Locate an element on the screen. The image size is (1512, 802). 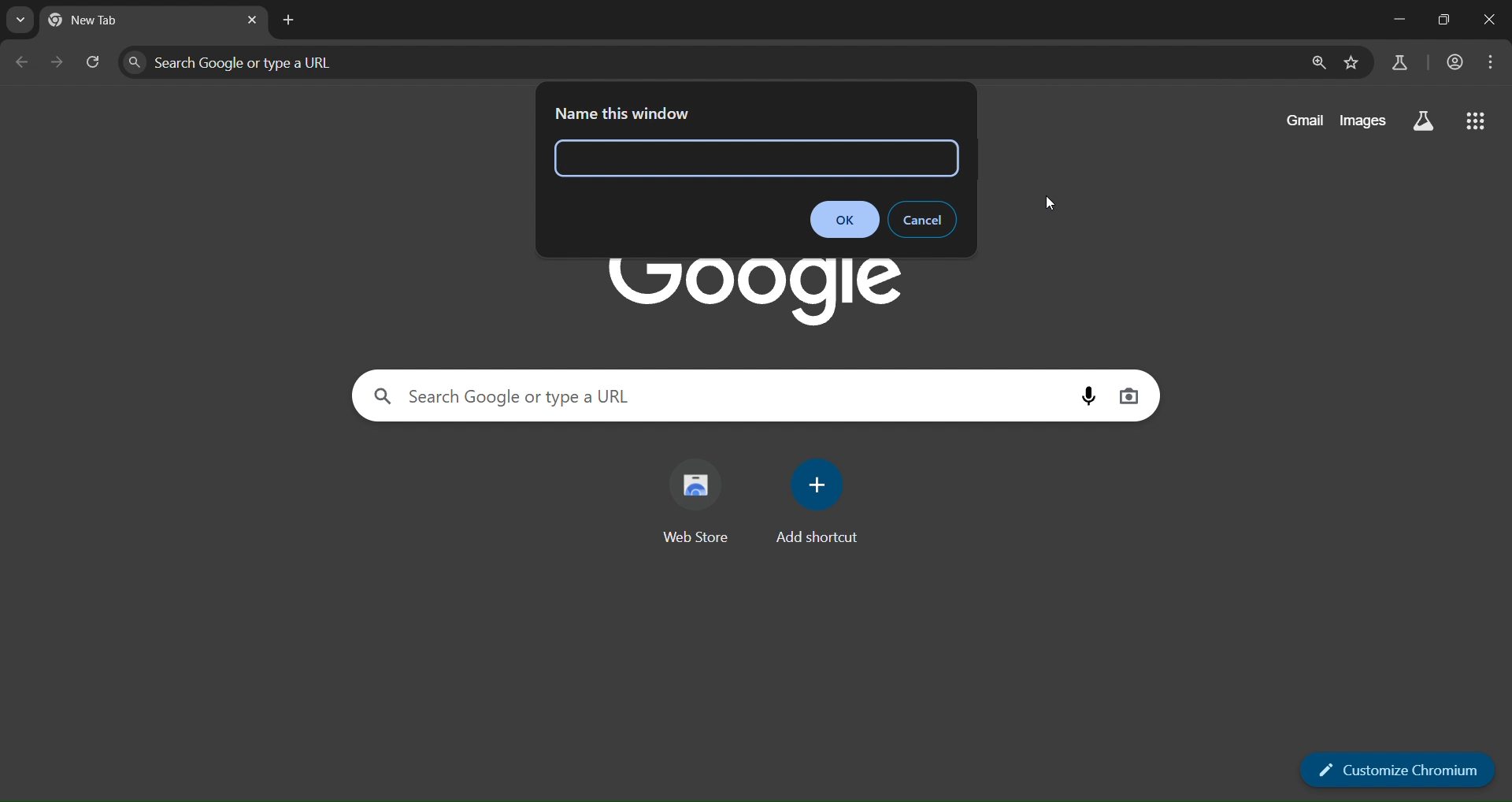
cancel is located at coordinates (923, 220).